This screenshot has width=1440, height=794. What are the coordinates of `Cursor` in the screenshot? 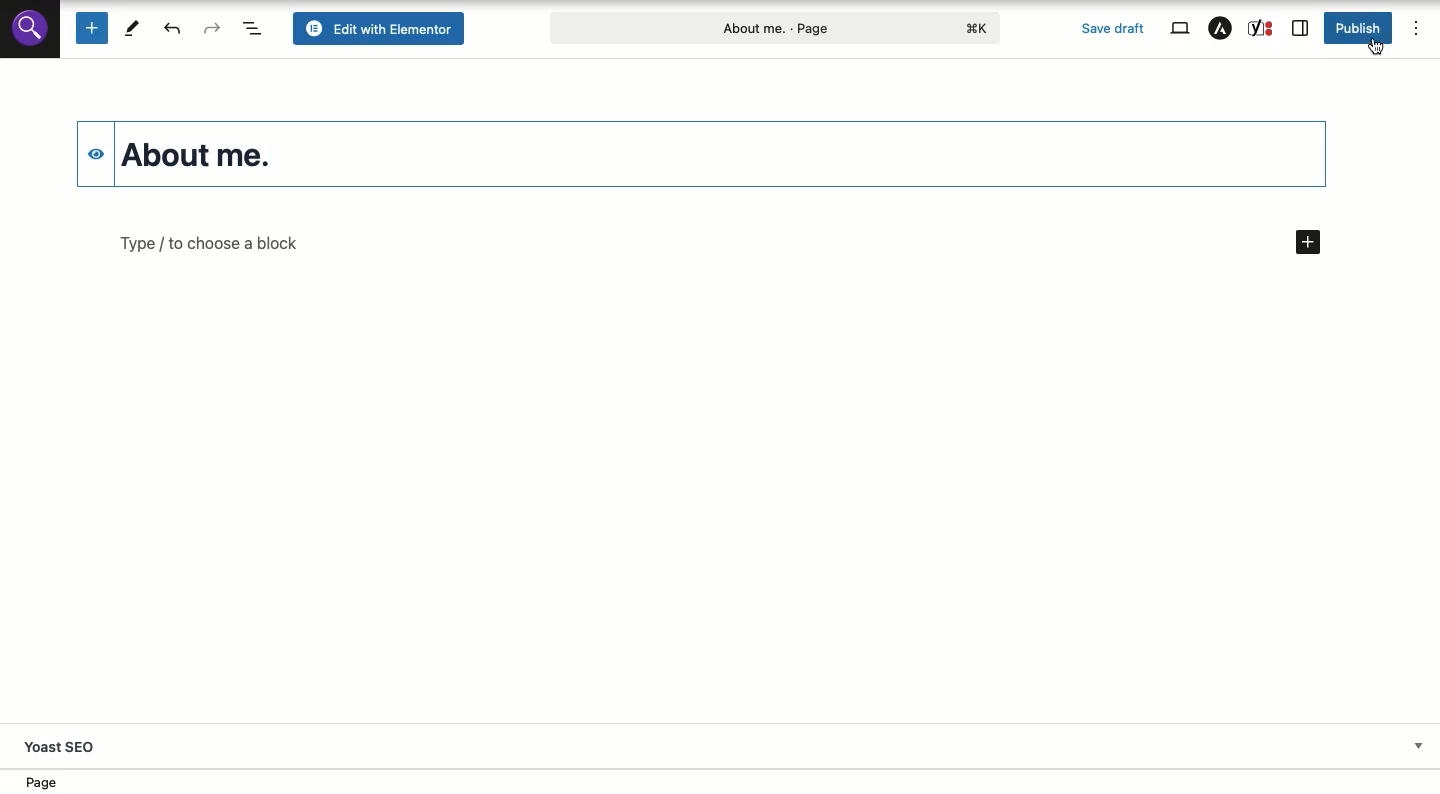 It's located at (1379, 49).